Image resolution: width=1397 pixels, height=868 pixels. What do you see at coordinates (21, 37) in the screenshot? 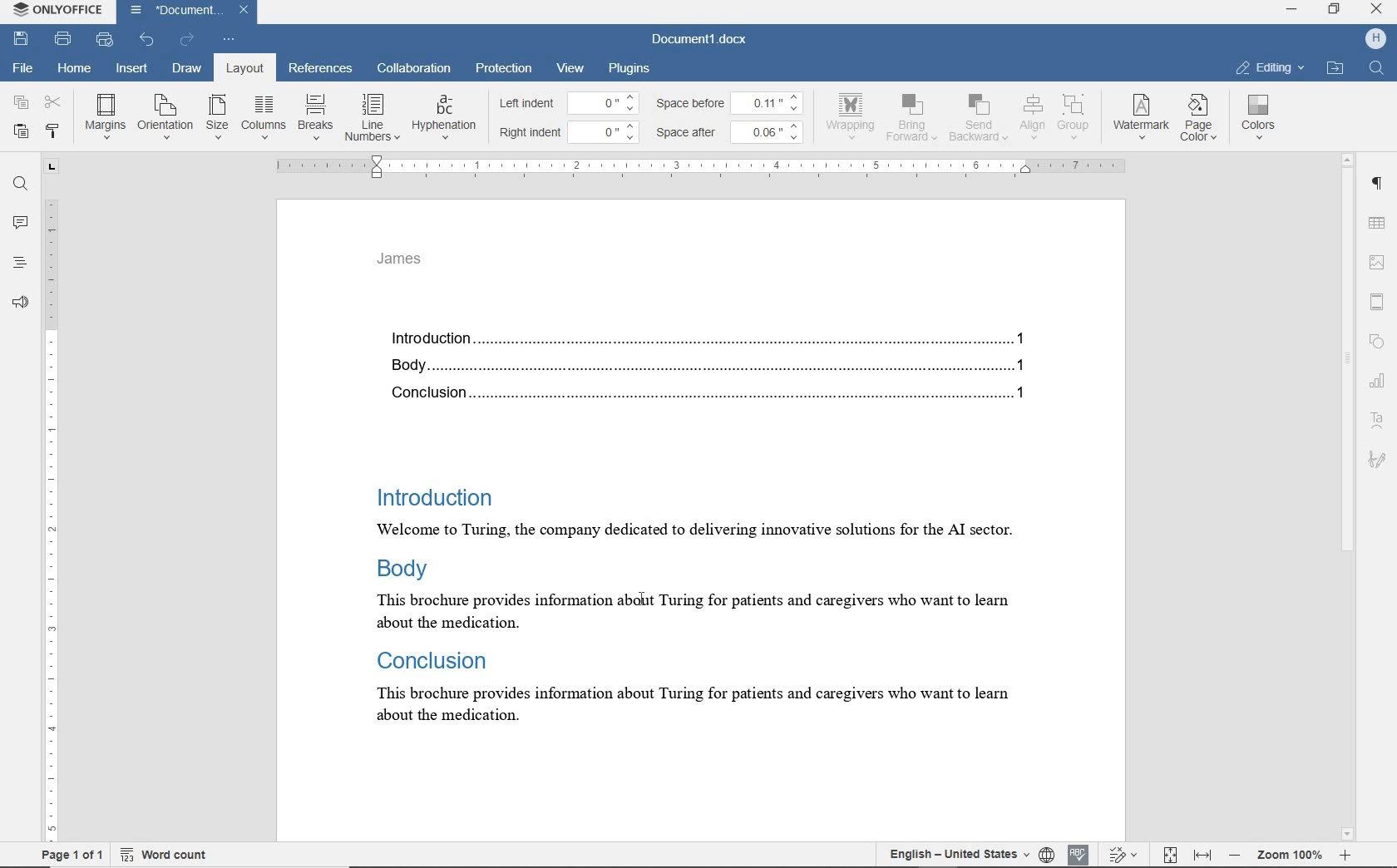
I see `save` at bounding box center [21, 37].